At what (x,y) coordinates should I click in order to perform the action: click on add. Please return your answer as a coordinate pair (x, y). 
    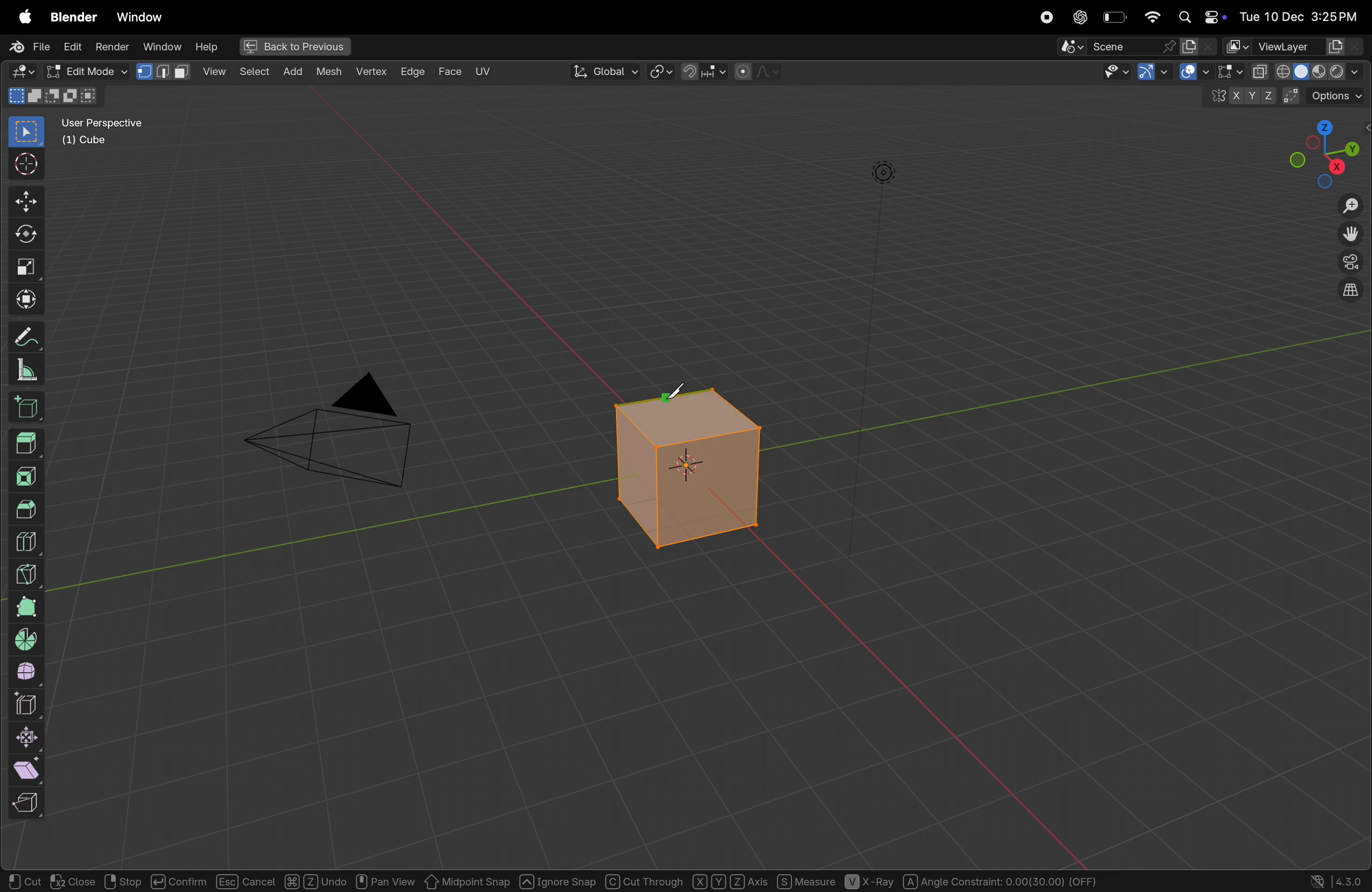
    Looking at the image, I should click on (252, 73).